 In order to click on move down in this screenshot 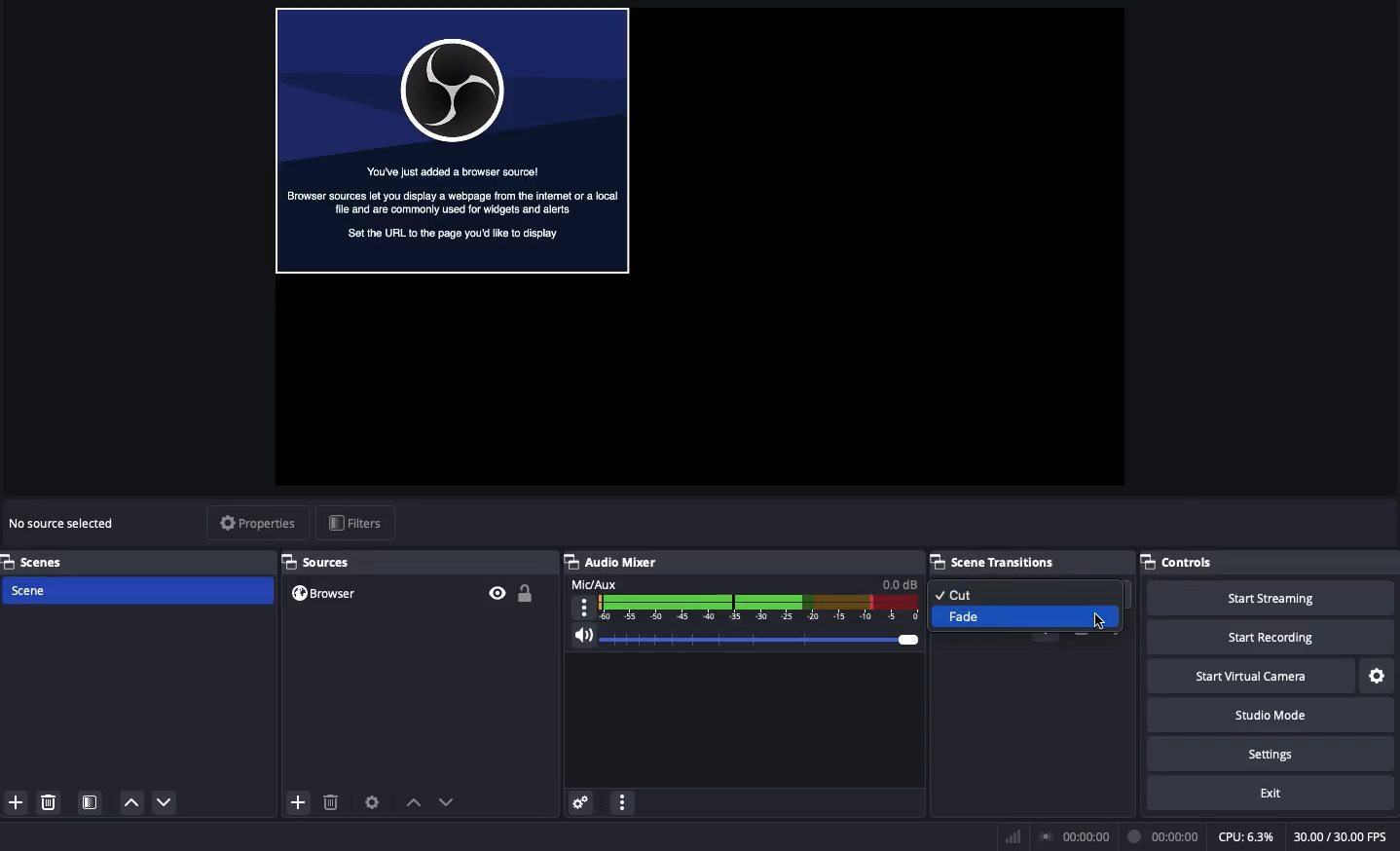, I will do `click(453, 801)`.